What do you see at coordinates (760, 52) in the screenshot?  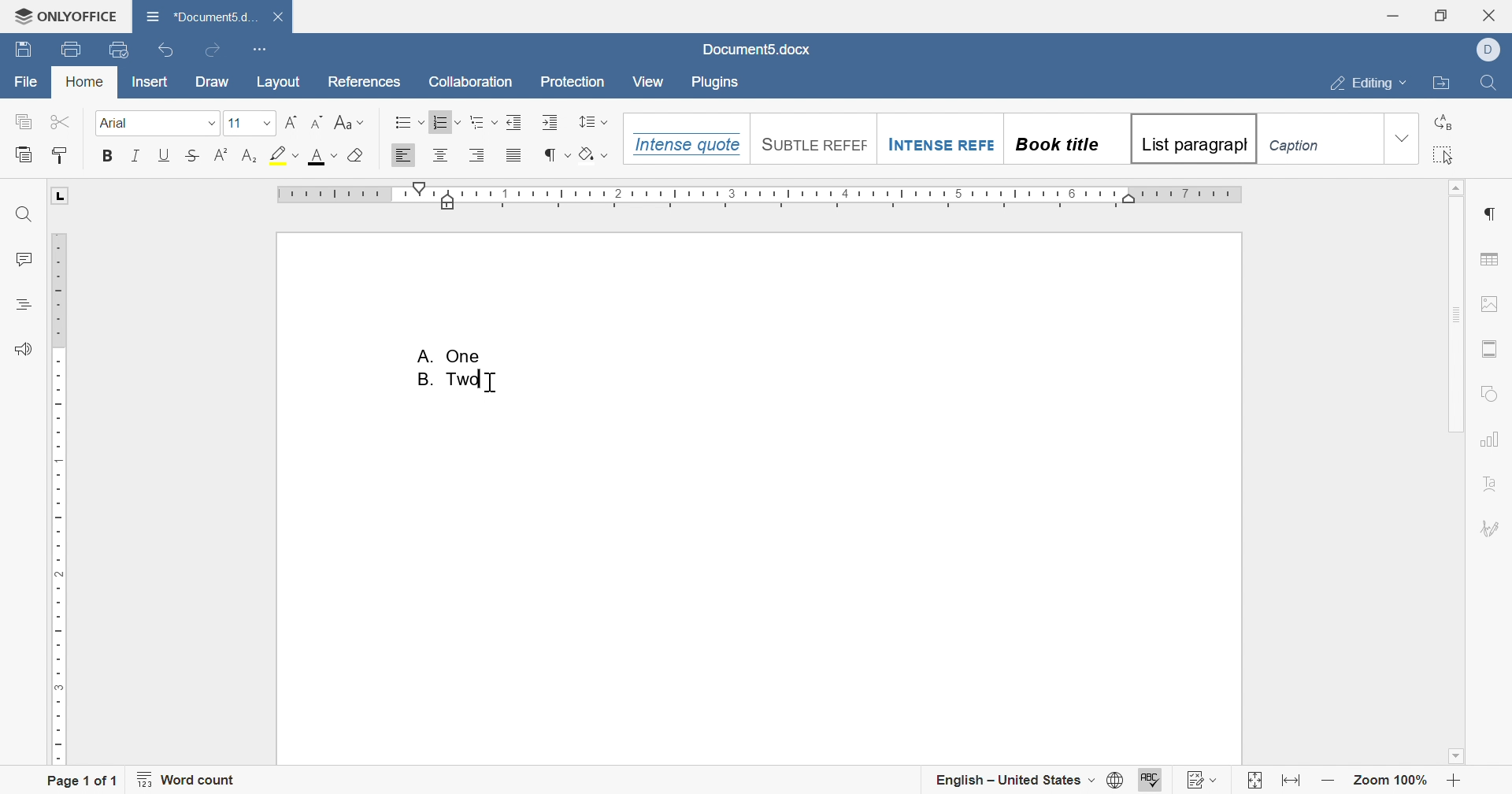 I see `document5.docx` at bounding box center [760, 52].